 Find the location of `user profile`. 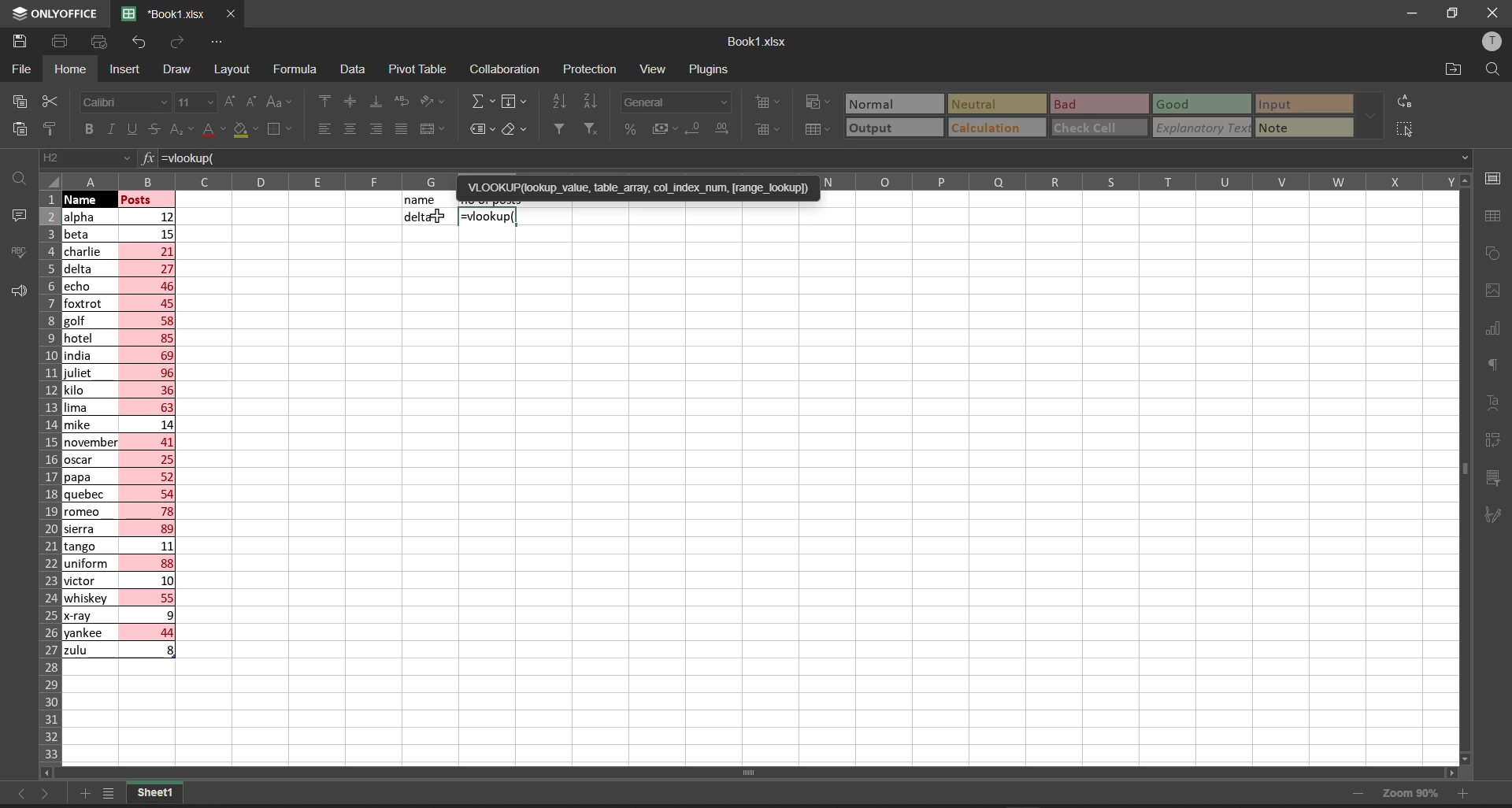

user profile is located at coordinates (1494, 41).